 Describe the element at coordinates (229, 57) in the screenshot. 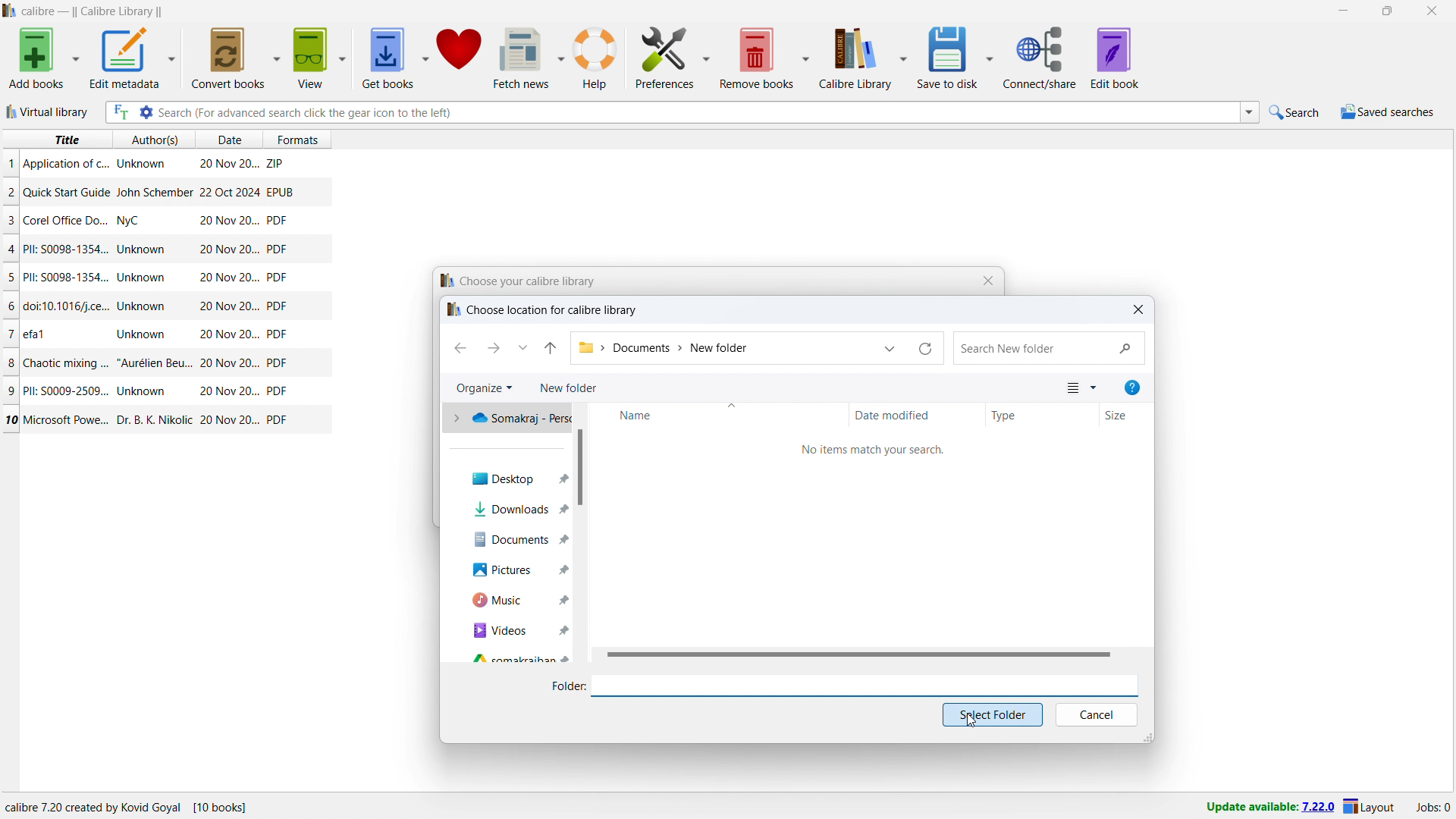

I see `convert books` at that location.